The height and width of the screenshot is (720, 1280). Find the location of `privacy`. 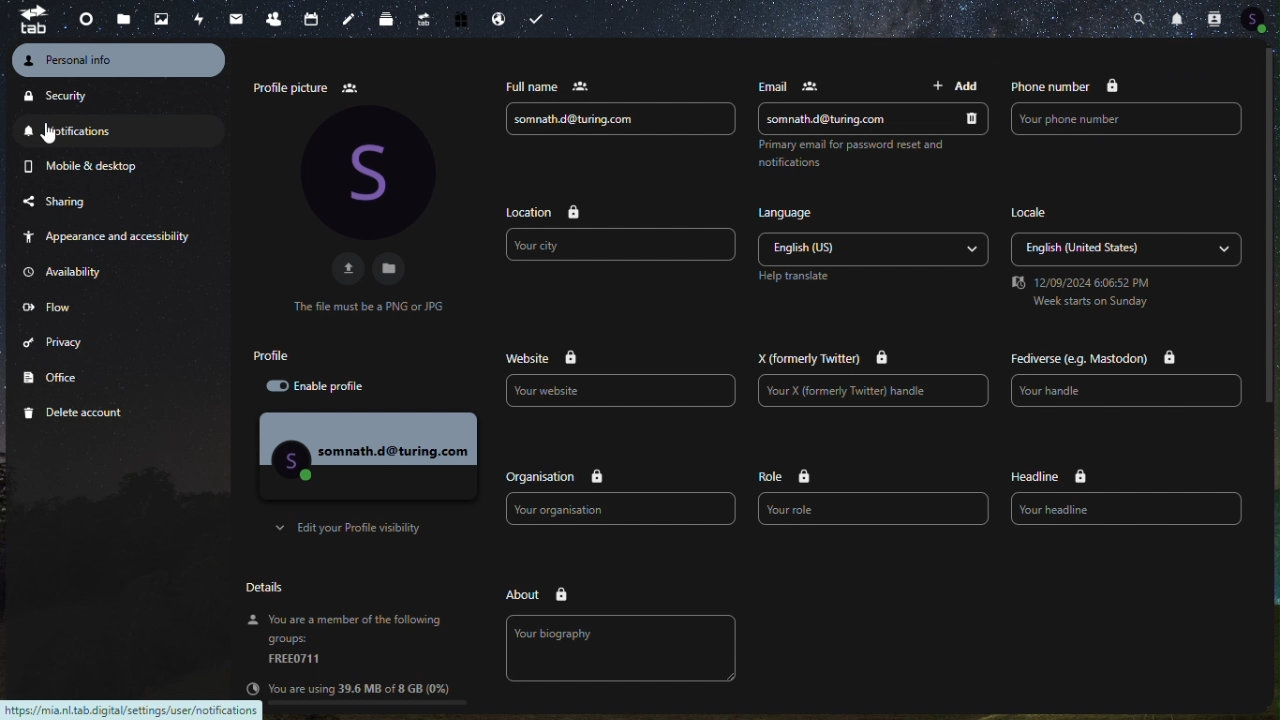

privacy is located at coordinates (73, 342).